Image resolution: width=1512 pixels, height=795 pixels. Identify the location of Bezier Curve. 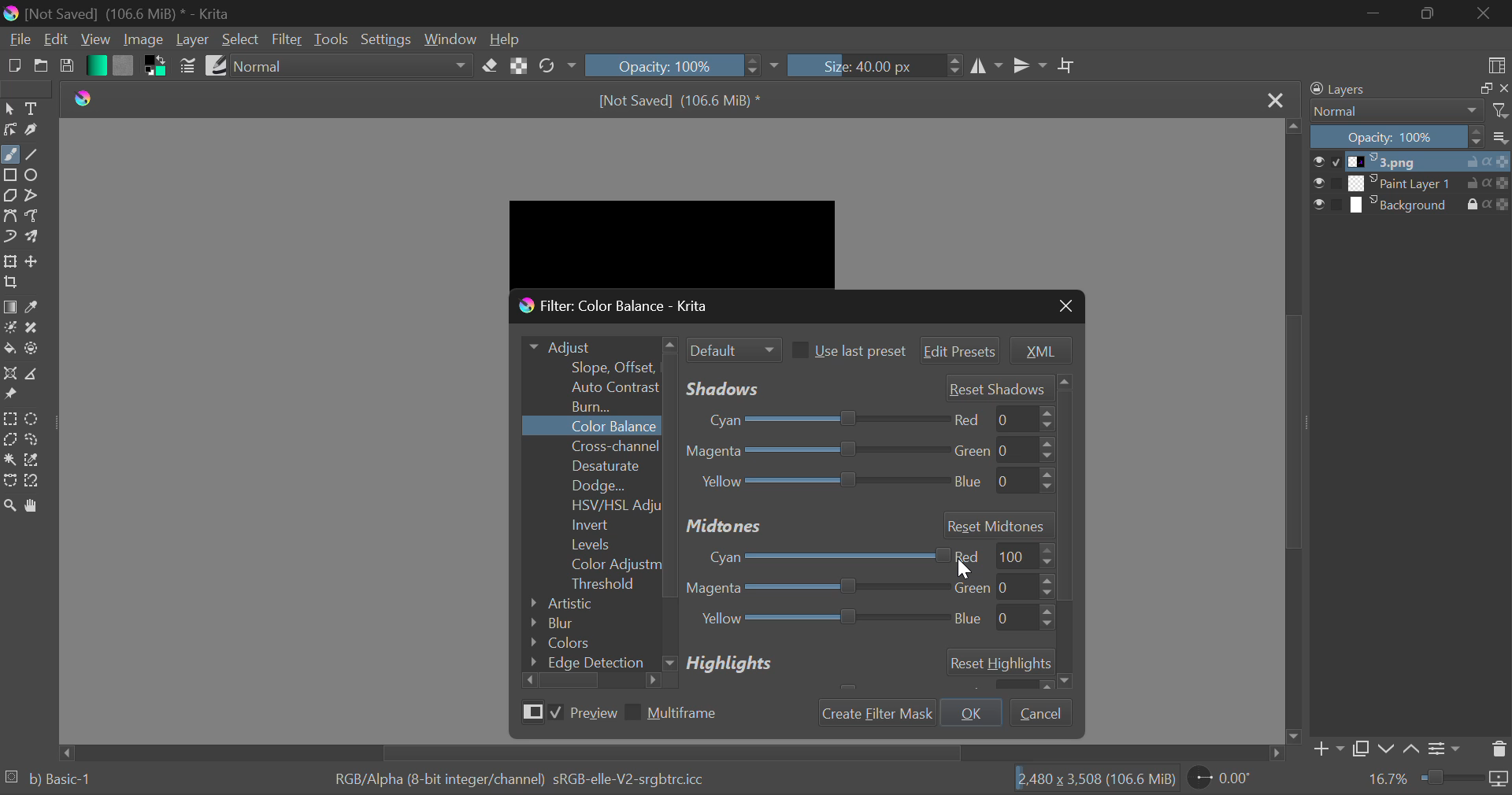
(13, 217).